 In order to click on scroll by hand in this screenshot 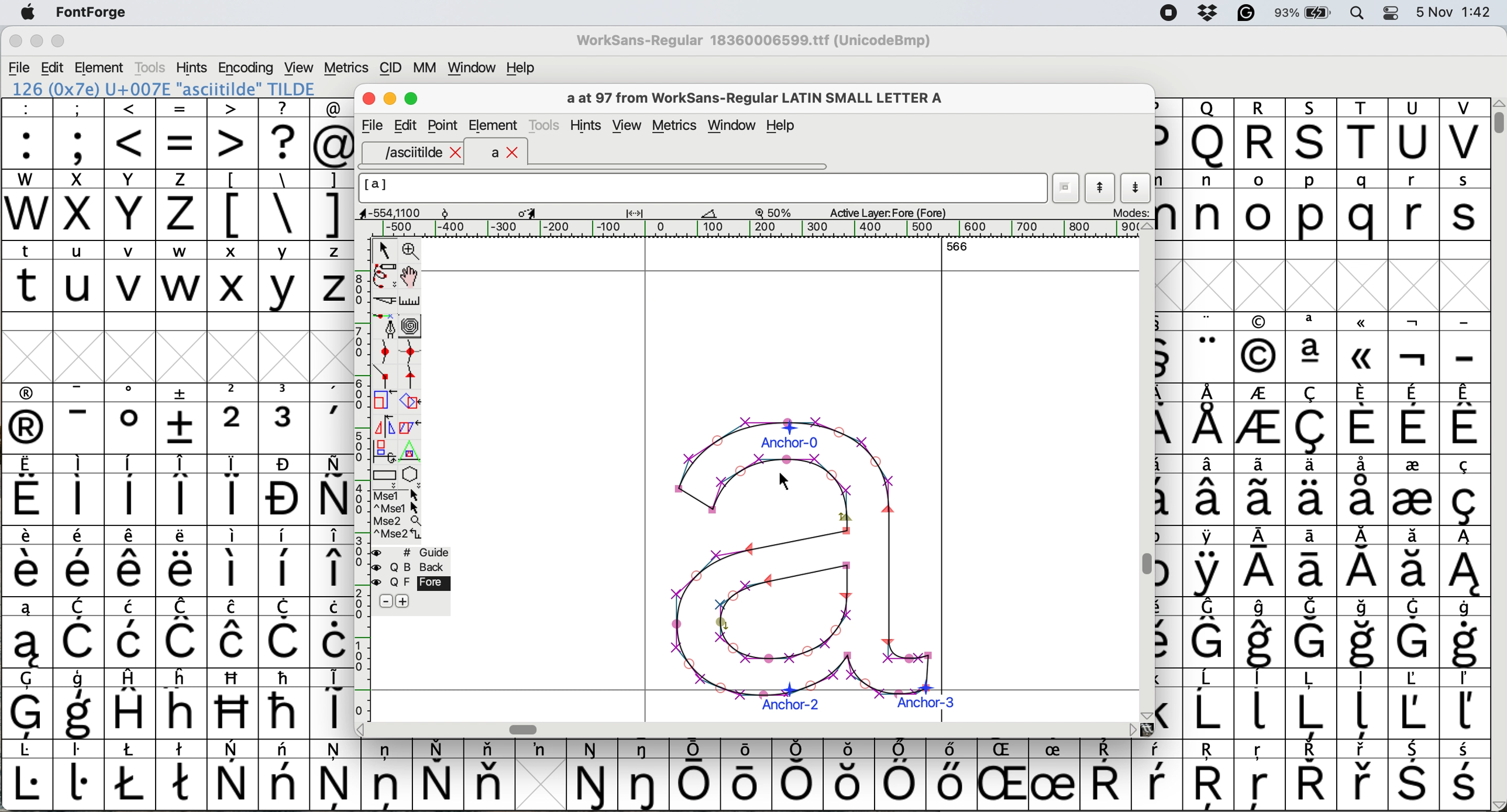, I will do `click(411, 277)`.